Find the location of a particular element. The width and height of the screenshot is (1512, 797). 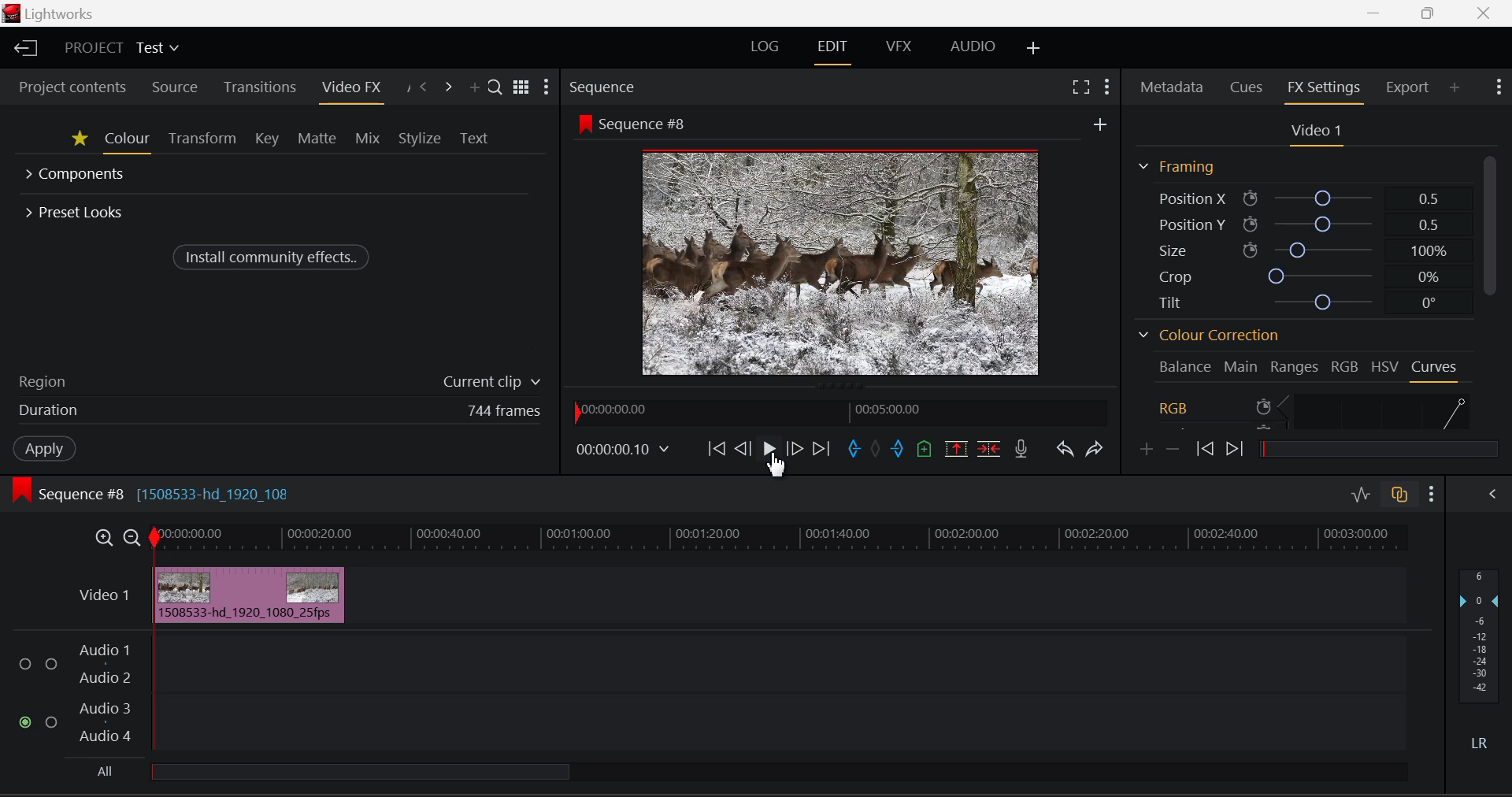

Sequence Preview Screen is located at coordinates (841, 246).